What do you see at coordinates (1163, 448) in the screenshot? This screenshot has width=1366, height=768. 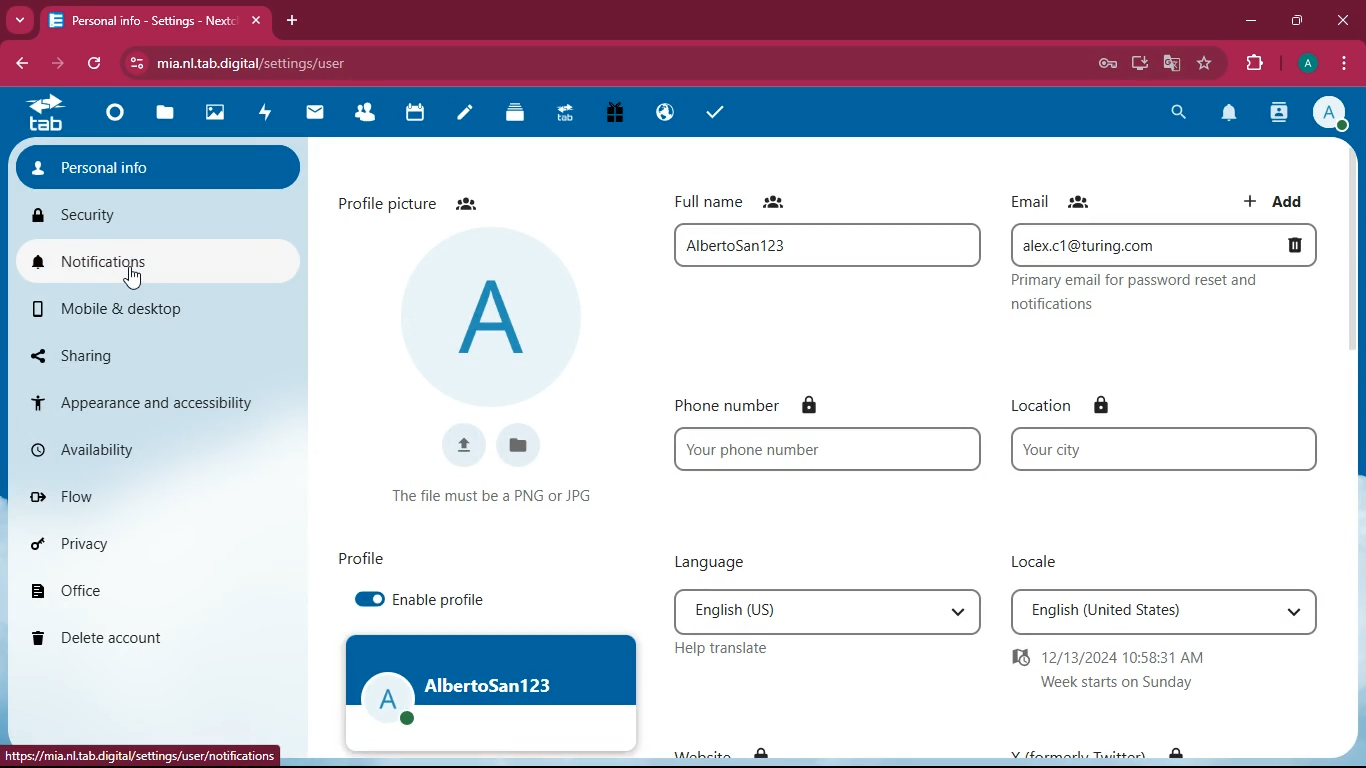 I see `Your city` at bounding box center [1163, 448].